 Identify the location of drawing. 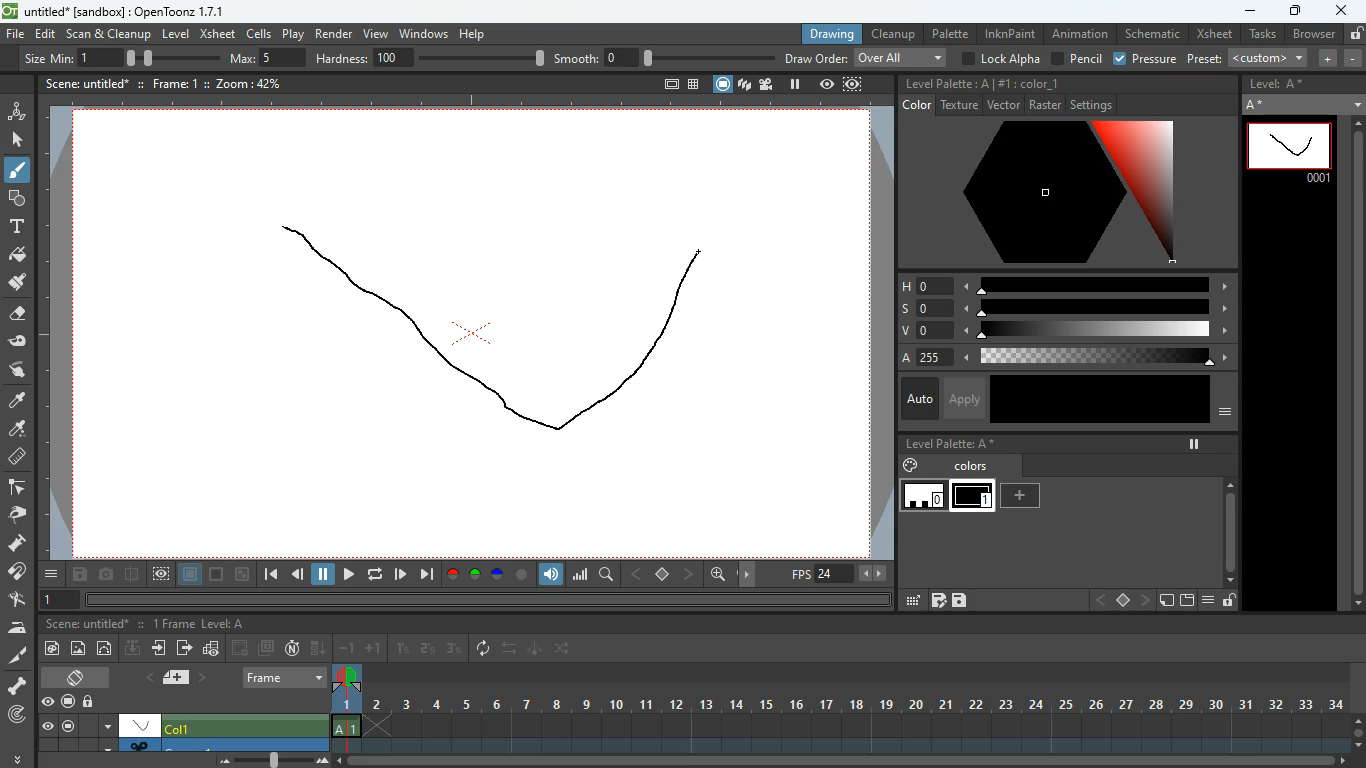
(826, 34).